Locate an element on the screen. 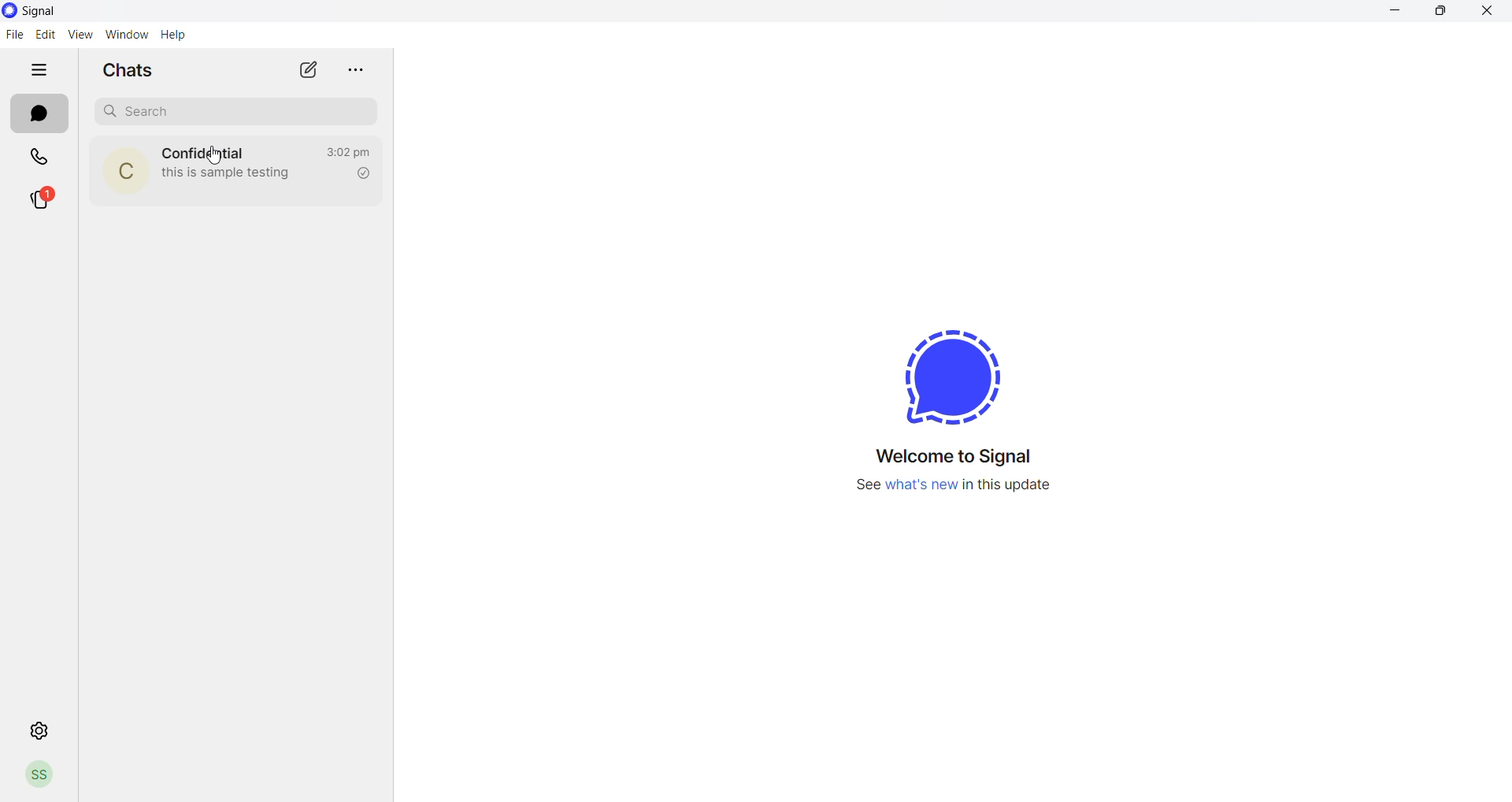 The width and height of the screenshot is (1512, 802). contact photo is located at coordinates (124, 171).